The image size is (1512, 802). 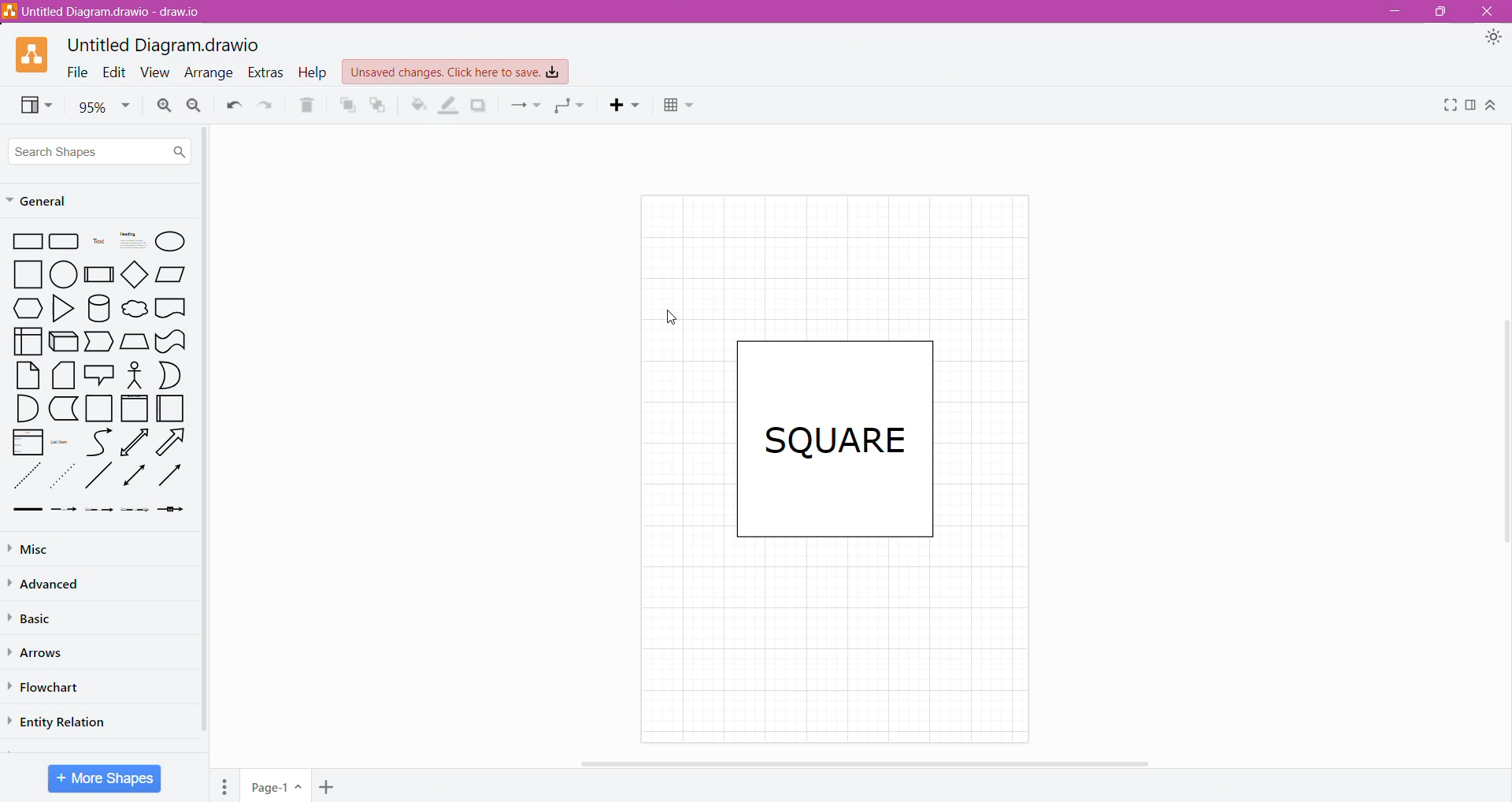 I want to click on Search Shapes, so click(x=101, y=150).